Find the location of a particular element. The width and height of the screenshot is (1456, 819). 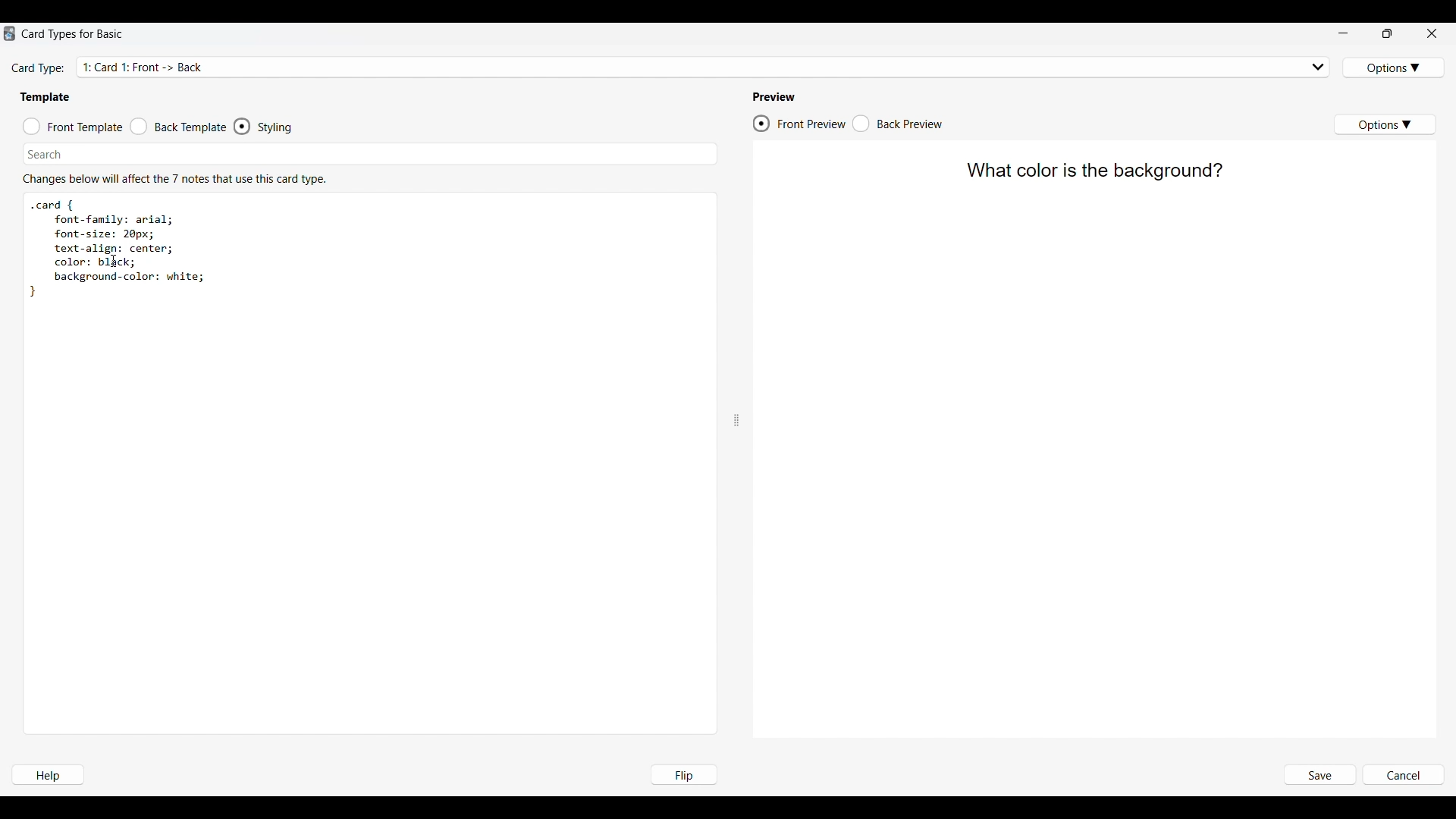

Cancel is located at coordinates (1403, 776).